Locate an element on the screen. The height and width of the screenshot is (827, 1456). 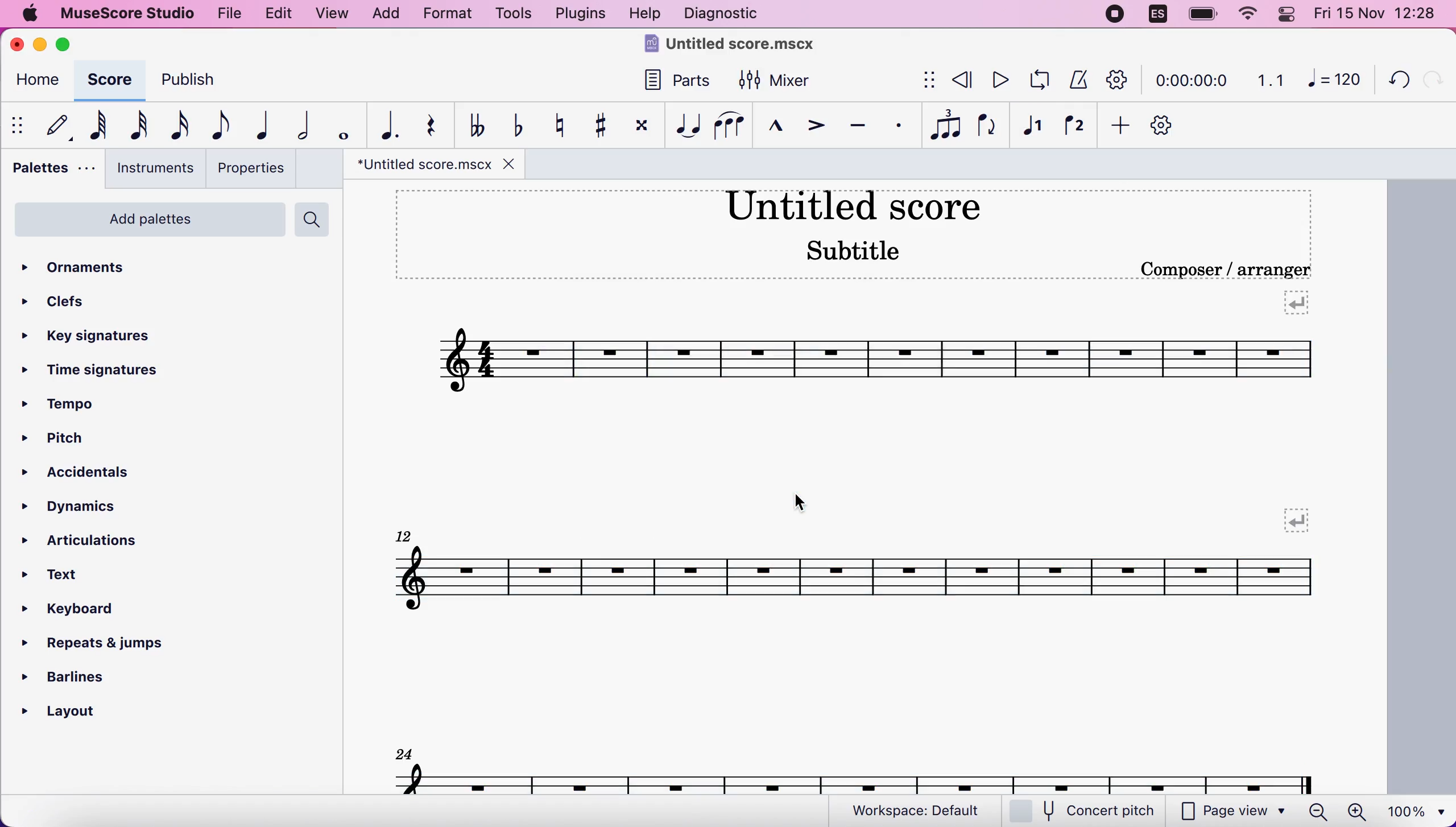
tie is located at coordinates (685, 126).